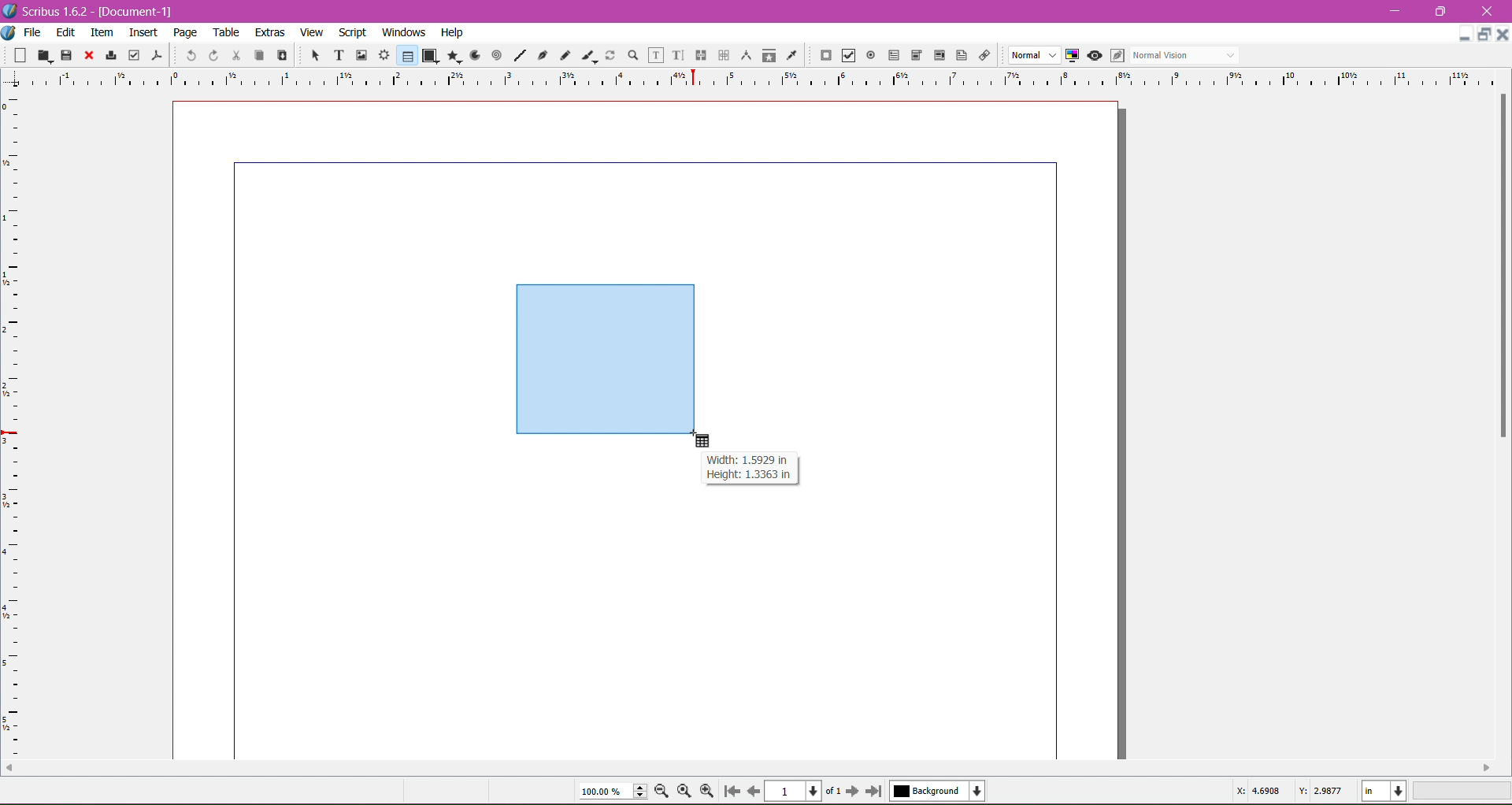  What do you see at coordinates (1323, 790) in the screenshot?
I see `Y:2.9877` at bounding box center [1323, 790].